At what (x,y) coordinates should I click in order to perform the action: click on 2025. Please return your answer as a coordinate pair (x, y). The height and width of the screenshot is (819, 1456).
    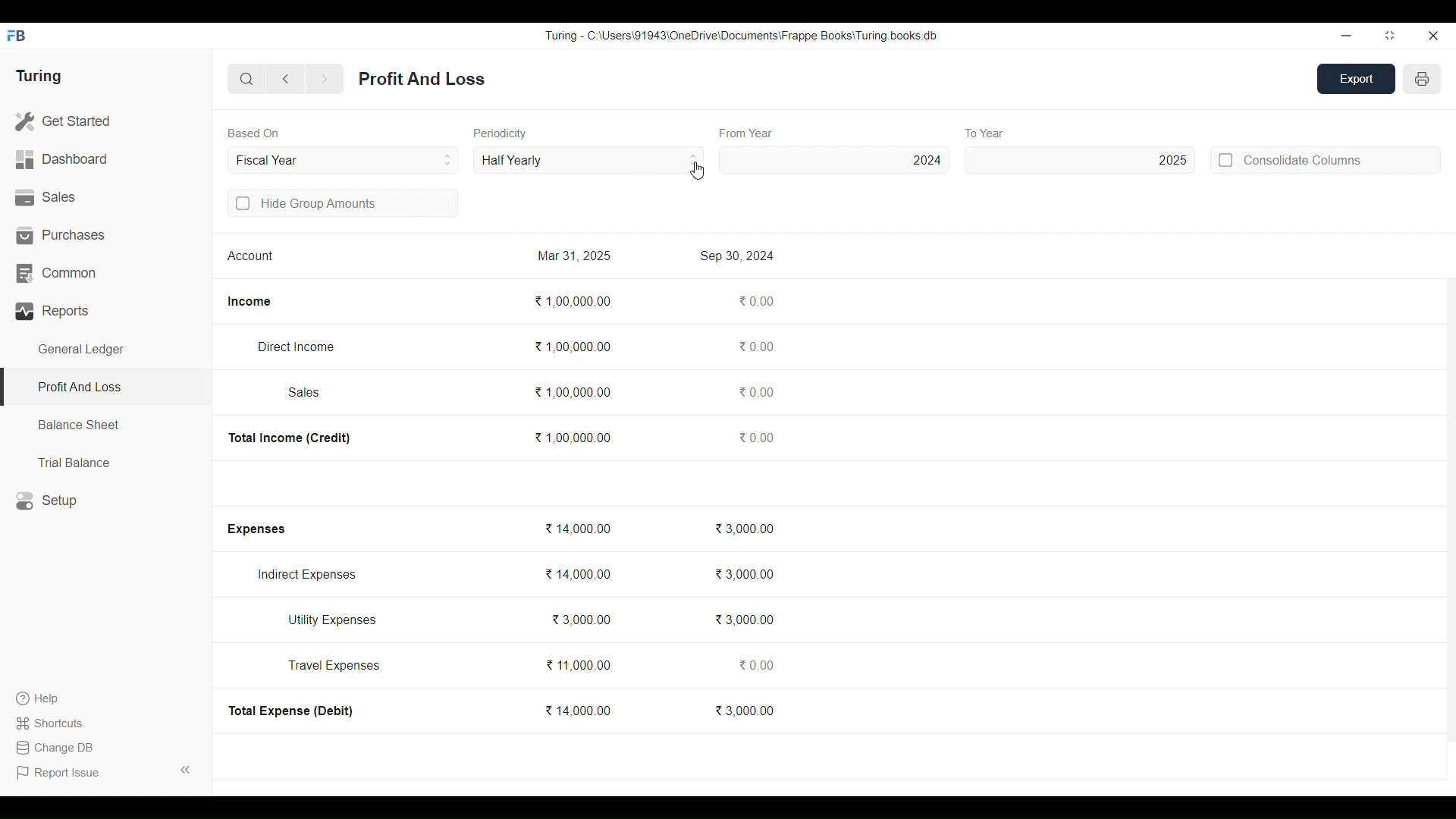
    Looking at the image, I should click on (1081, 160).